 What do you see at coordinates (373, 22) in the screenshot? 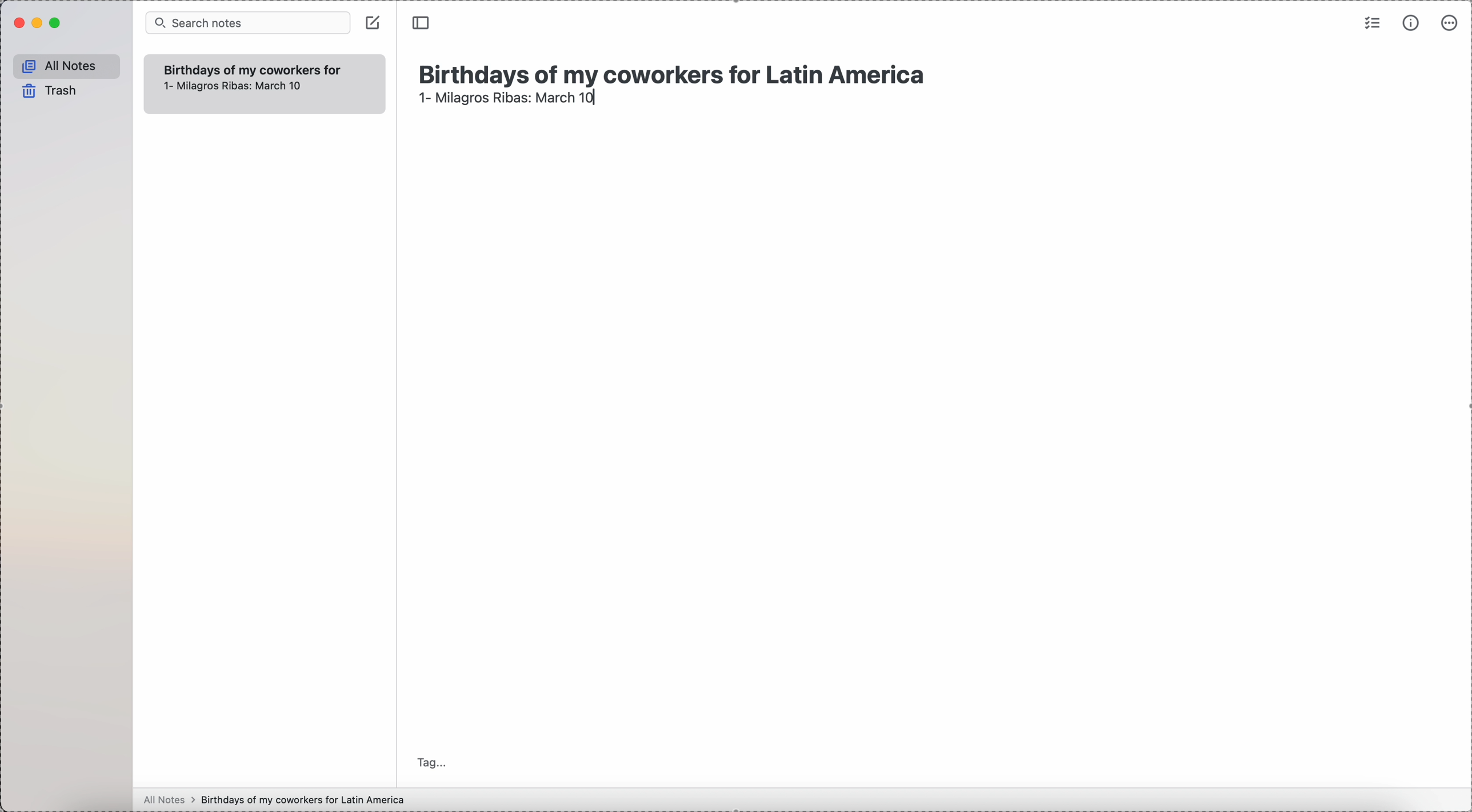
I see `create note` at bounding box center [373, 22].